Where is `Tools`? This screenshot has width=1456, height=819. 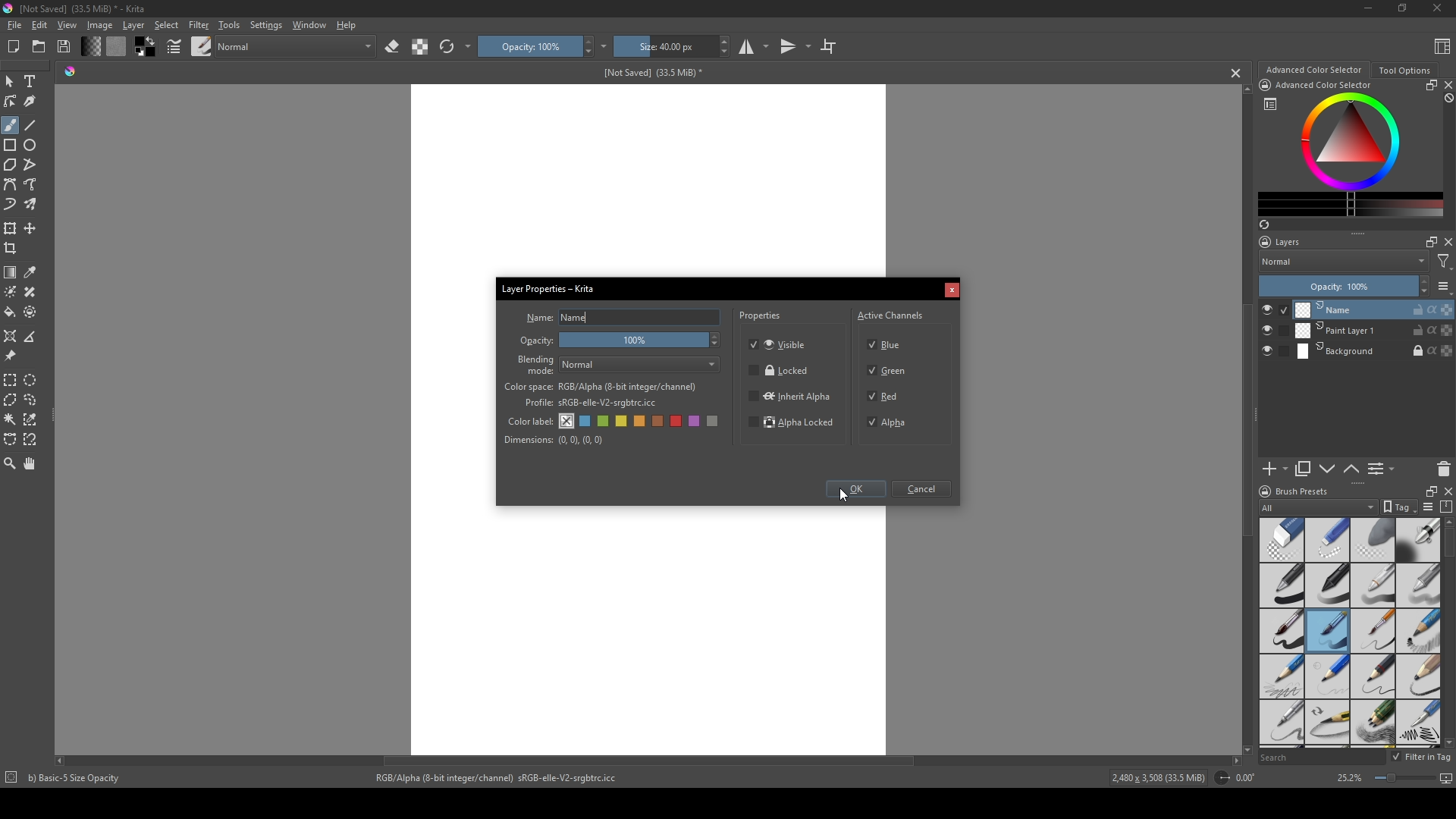
Tools is located at coordinates (229, 24).